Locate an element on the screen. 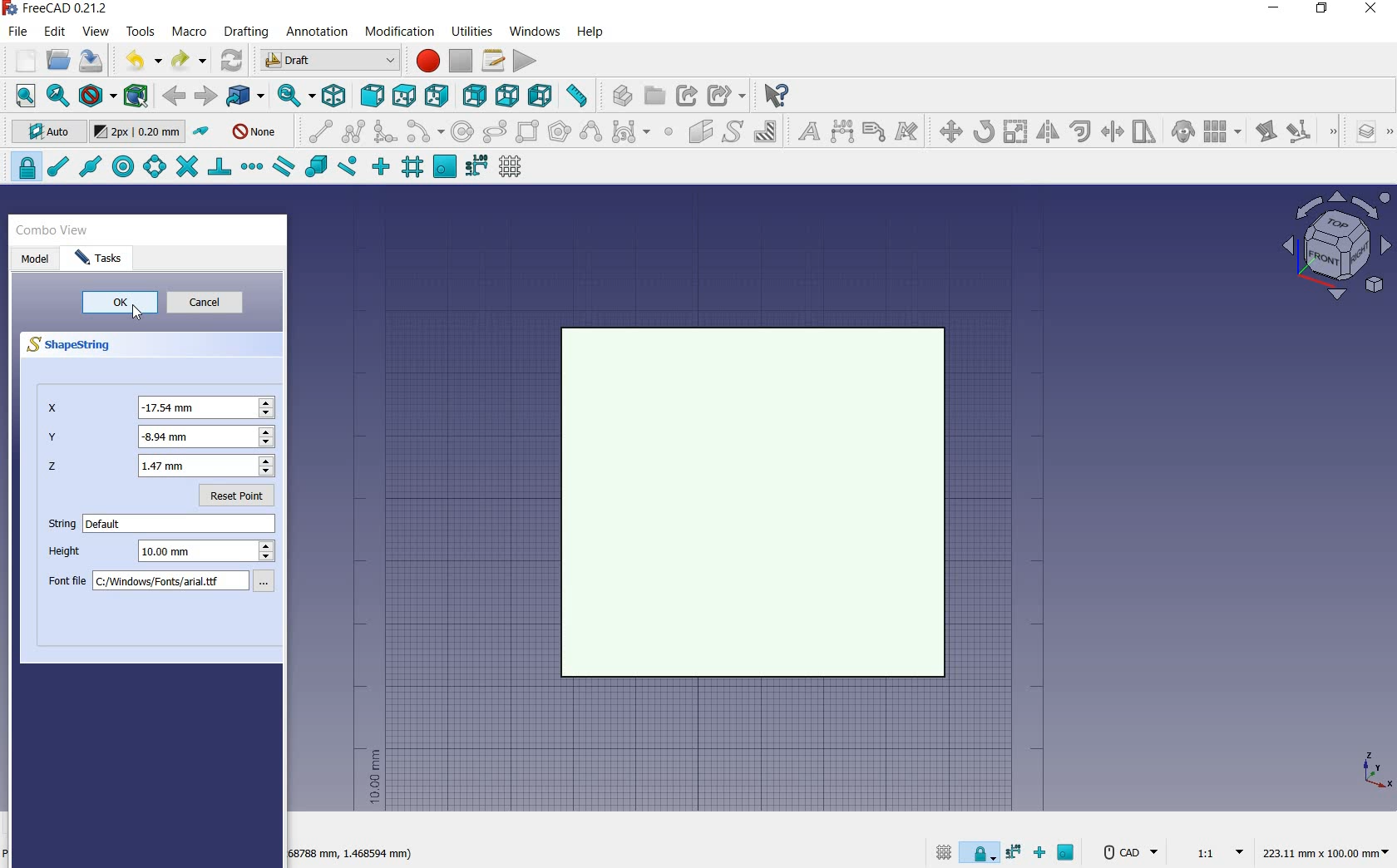 The height and width of the screenshot is (868, 1397). offset is located at coordinates (1081, 131).